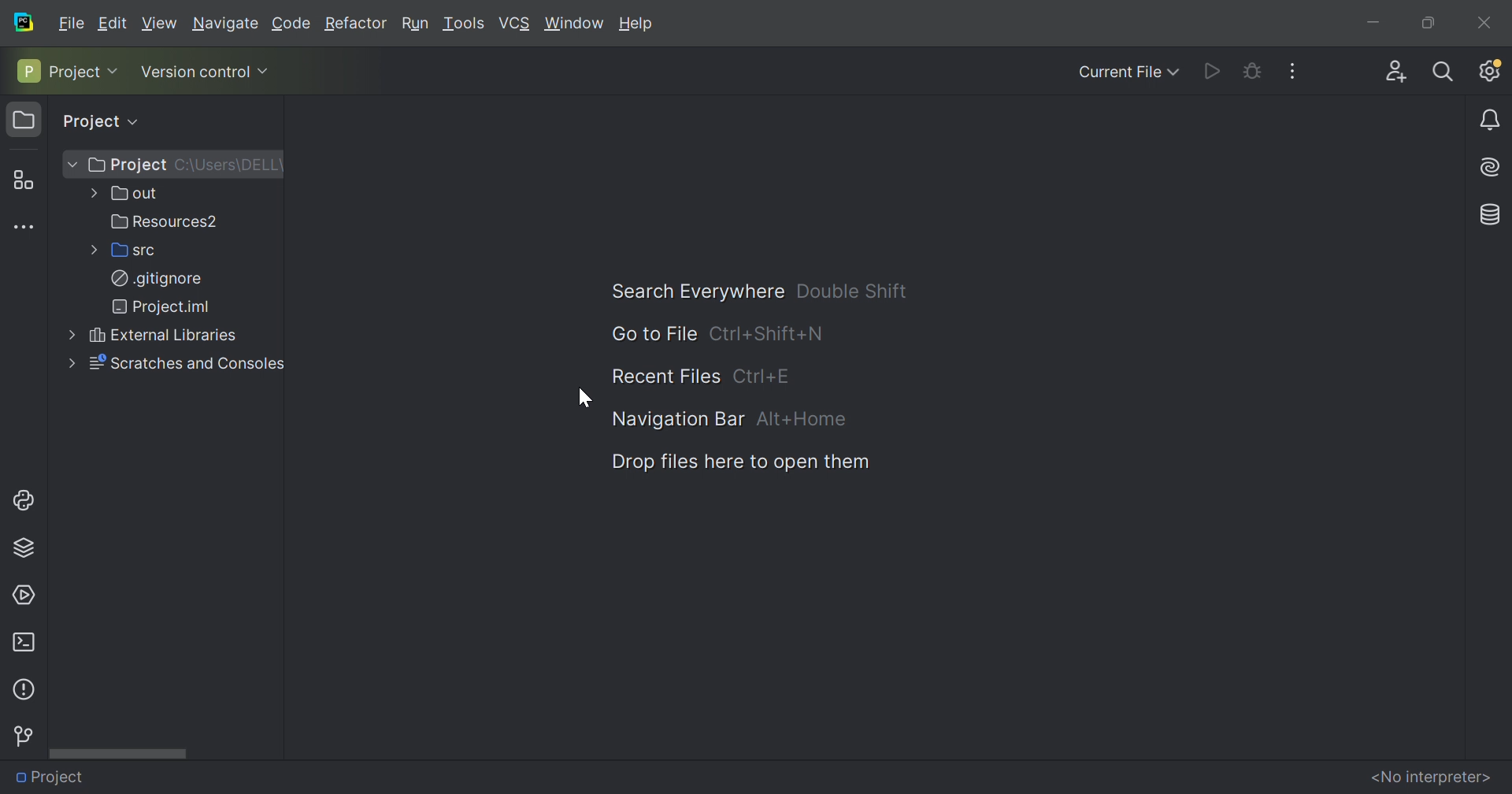 Image resolution: width=1512 pixels, height=794 pixels. What do you see at coordinates (691, 291) in the screenshot?
I see `Search Everywhere` at bounding box center [691, 291].